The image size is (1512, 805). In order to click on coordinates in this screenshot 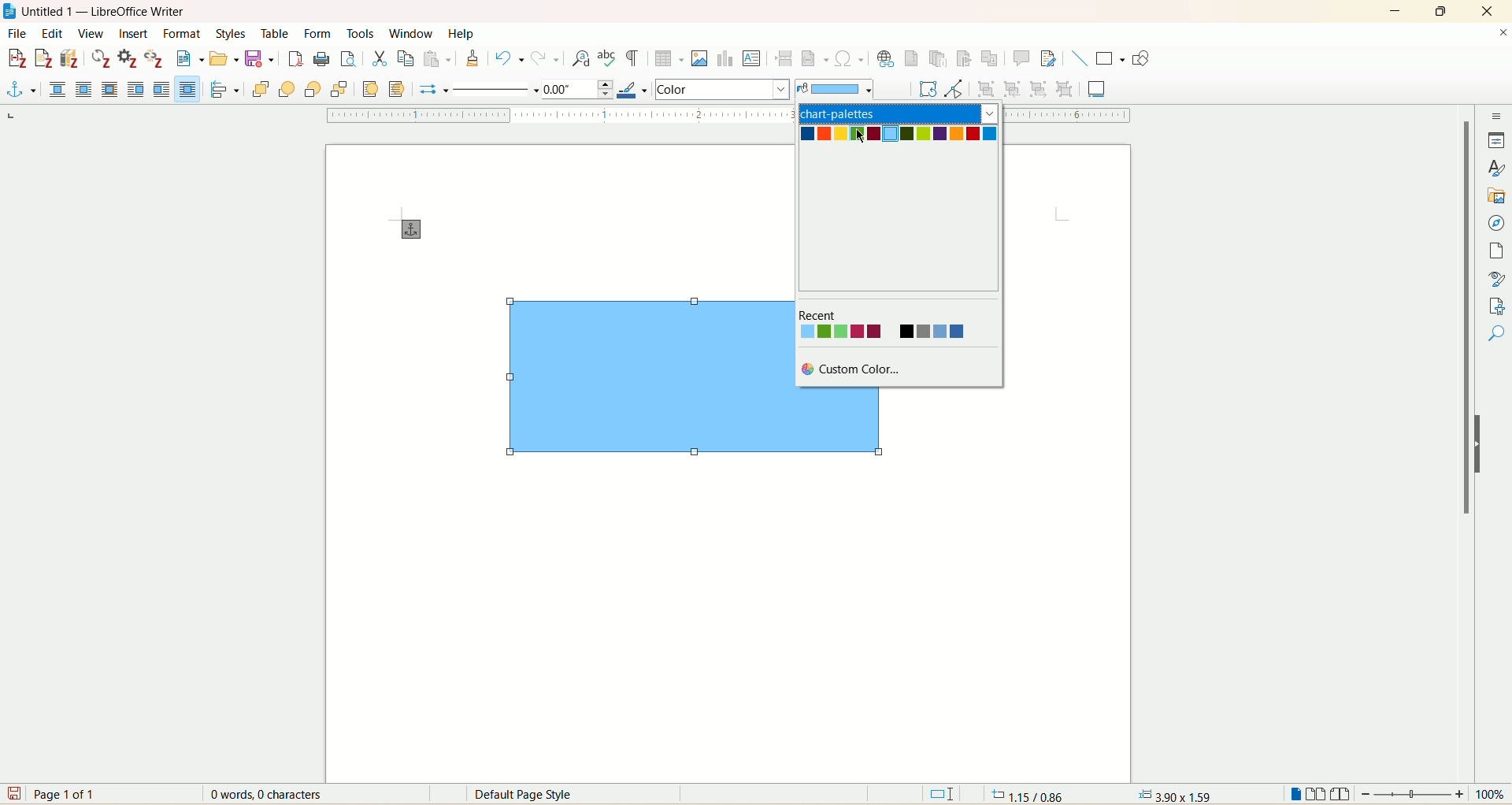, I will do `click(1024, 795)`.